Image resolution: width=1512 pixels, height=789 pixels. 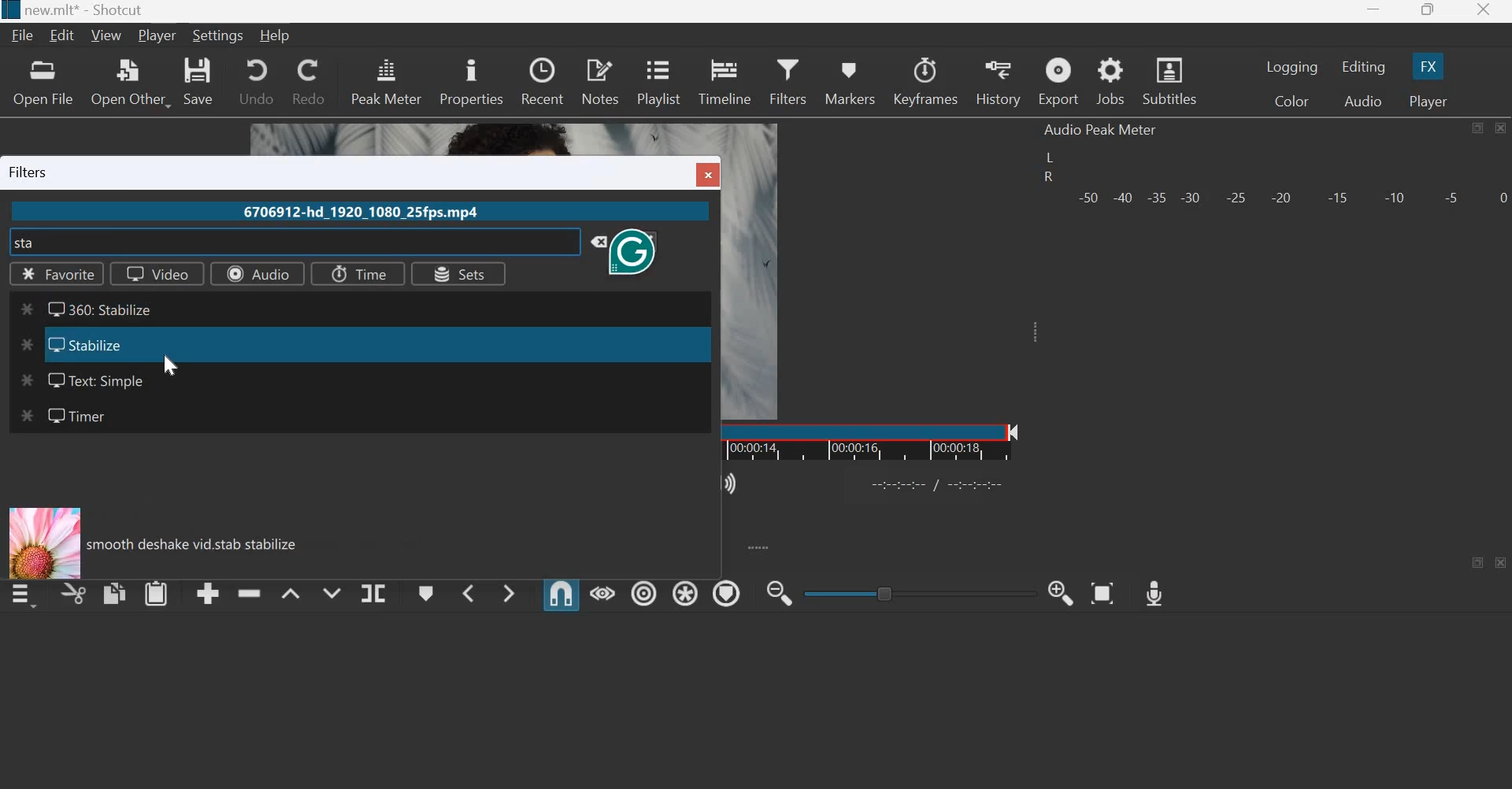 I want to click on 360: Stabilize, so click(x=90, y=306).